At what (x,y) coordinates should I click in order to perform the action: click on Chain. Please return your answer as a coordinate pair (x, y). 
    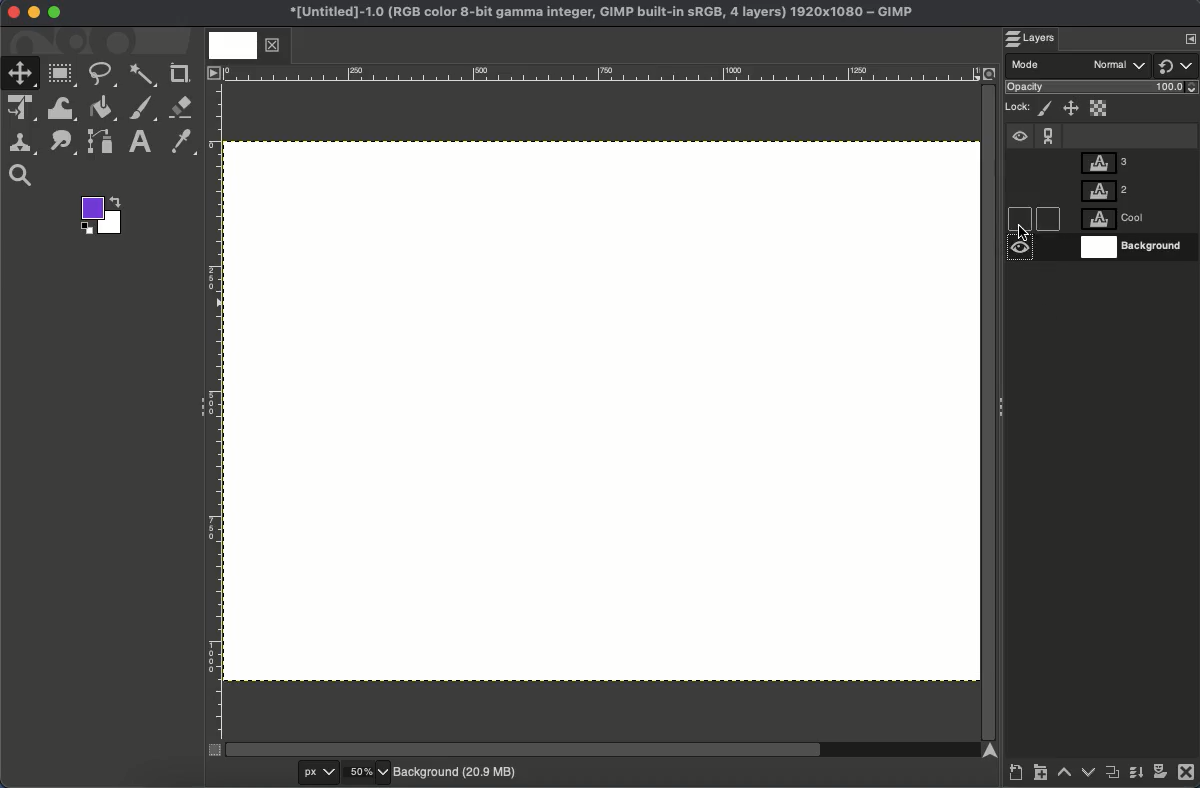
    Looking at the image, I should click on (1049, 131).